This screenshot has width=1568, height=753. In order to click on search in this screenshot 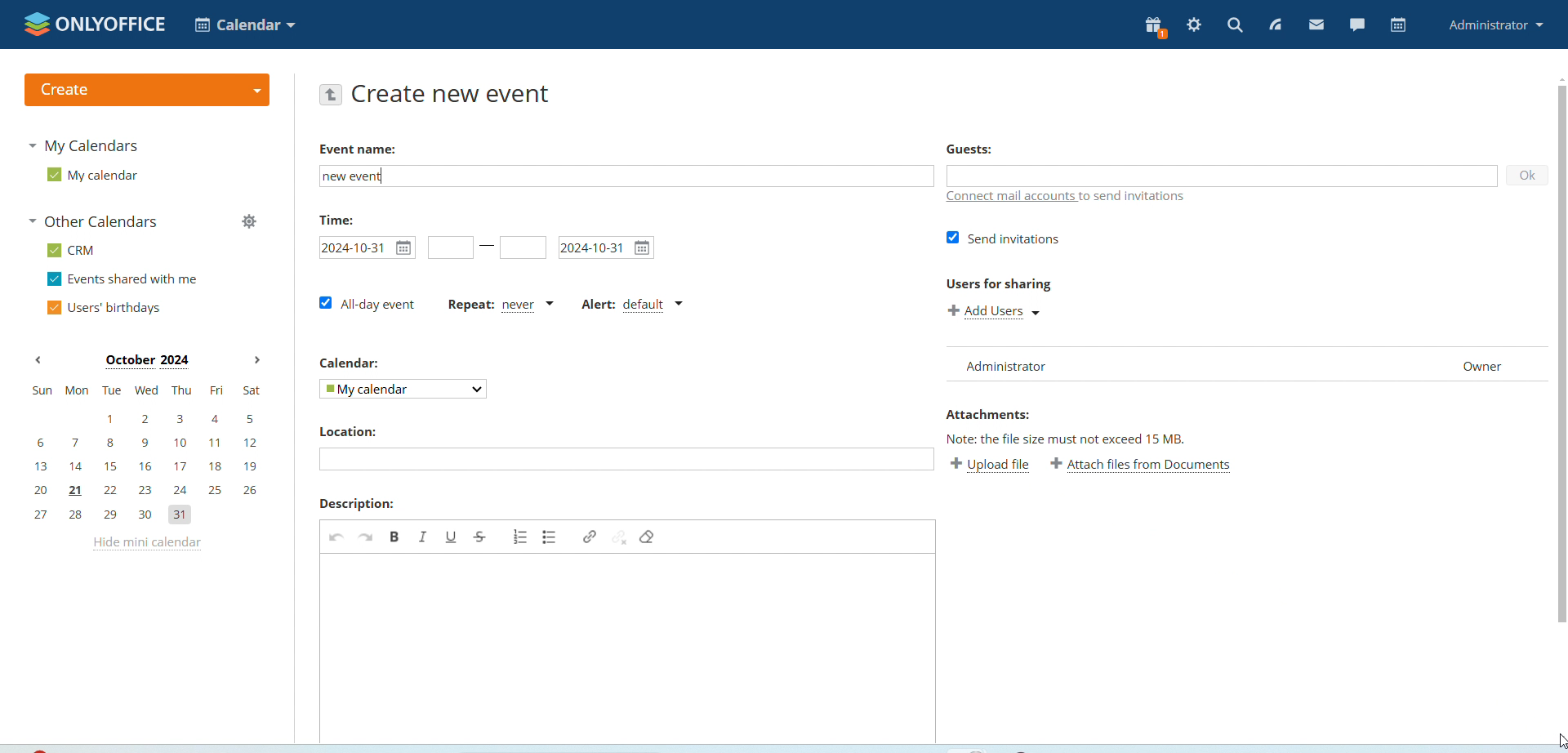, I will do `click(1235, 26)`.